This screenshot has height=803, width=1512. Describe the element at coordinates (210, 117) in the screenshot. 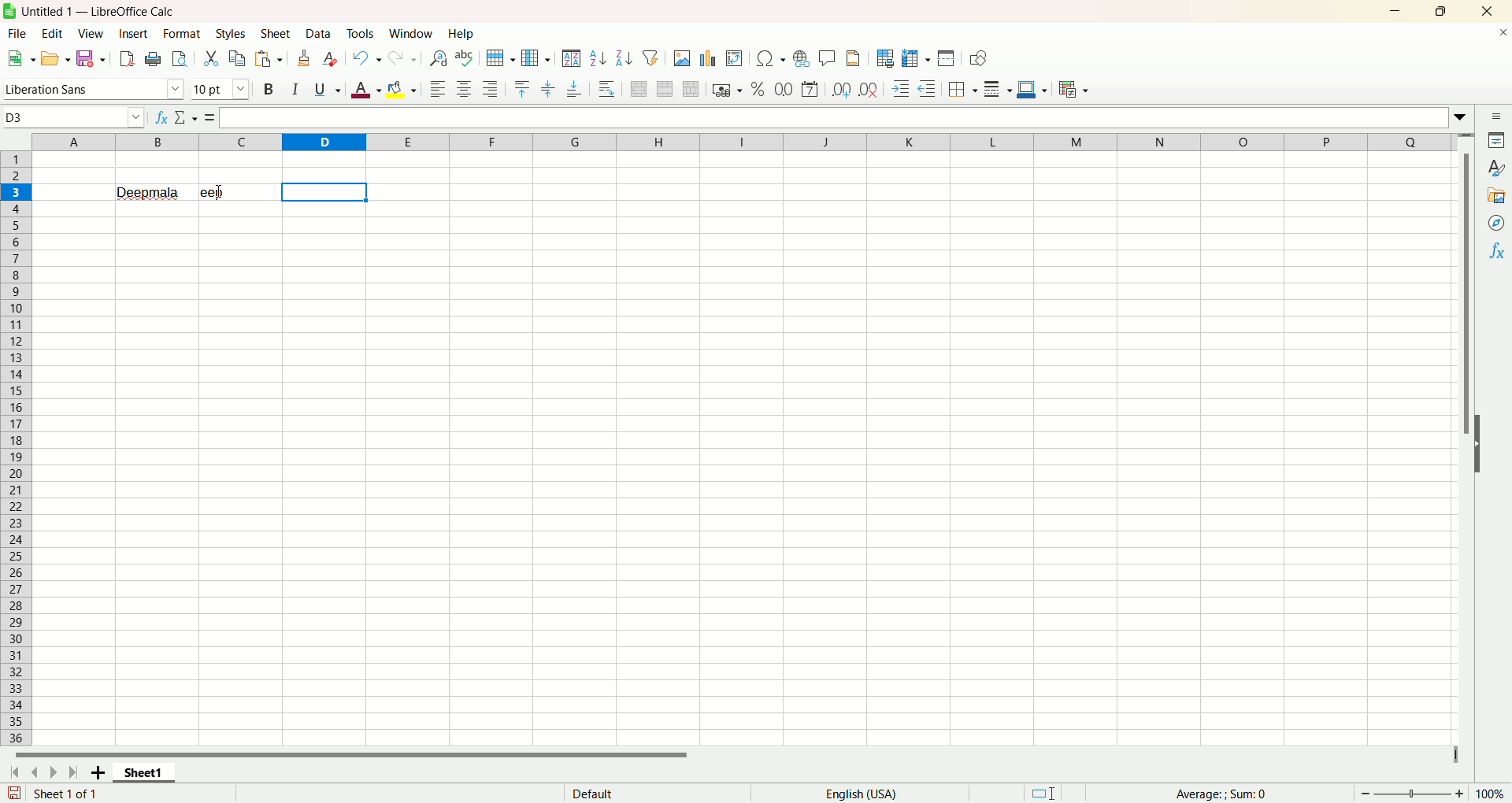

I see `Formula` at that location.